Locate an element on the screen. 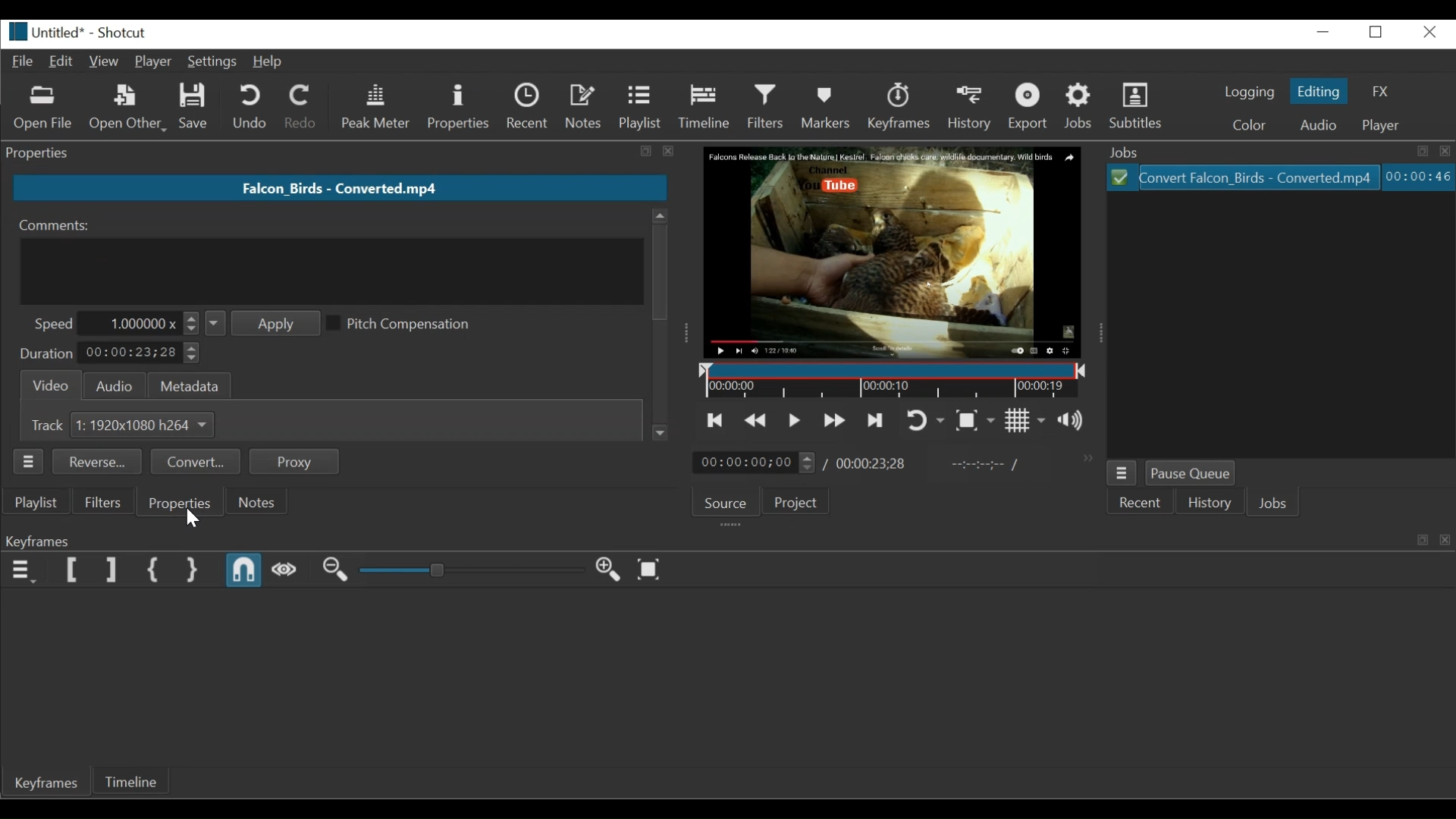  Zoom out keyframe is located at coordinates (337, 572).